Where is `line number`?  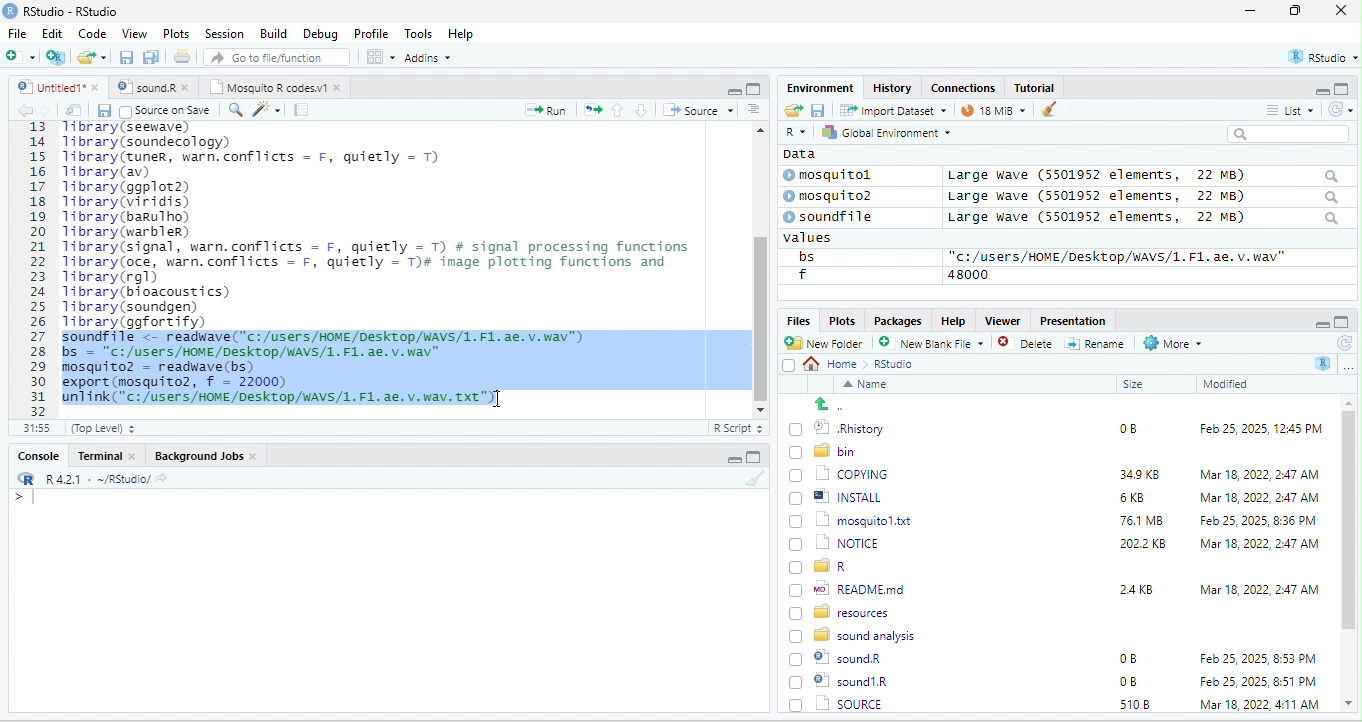 line number is located at coordinates (40, 268).